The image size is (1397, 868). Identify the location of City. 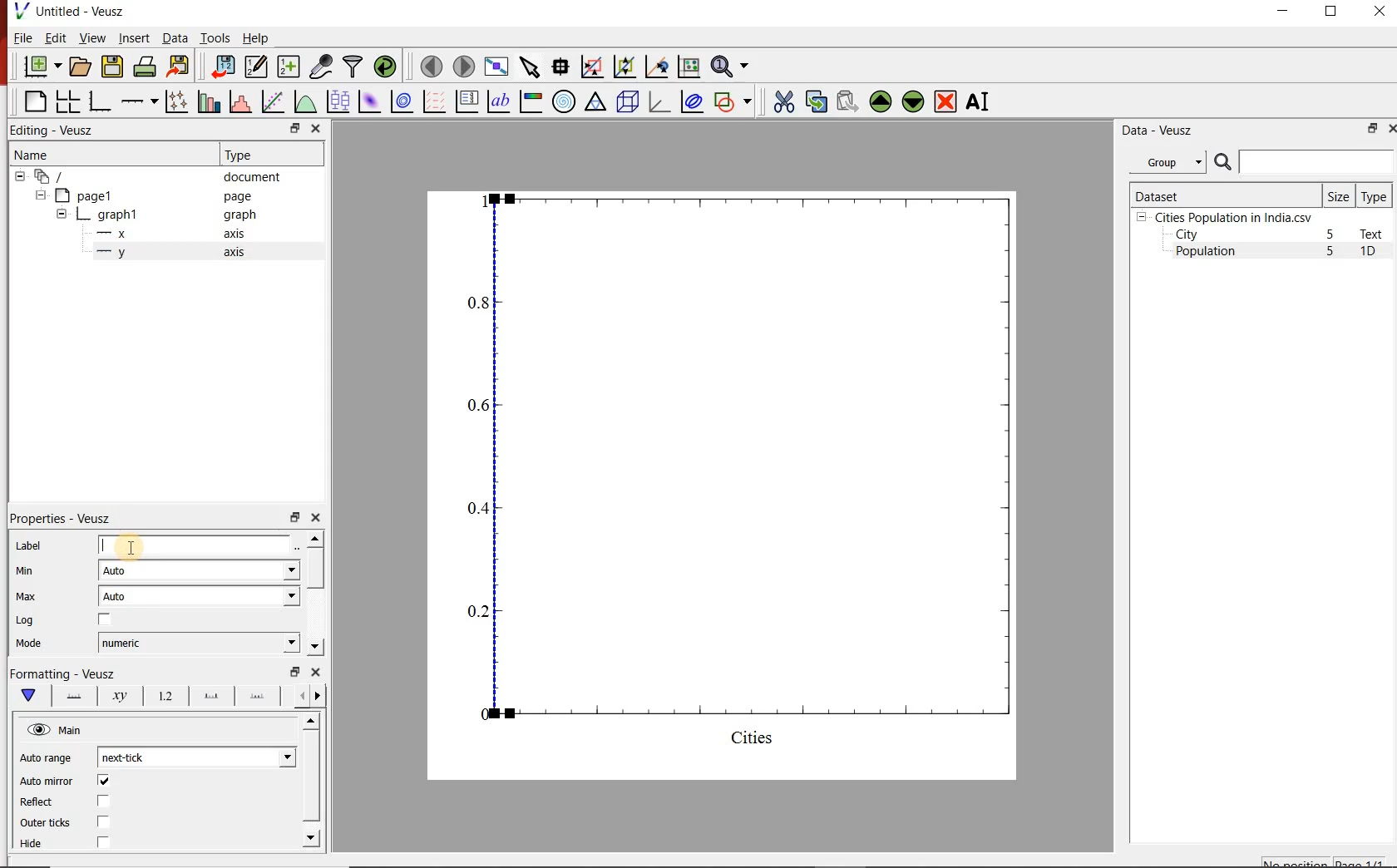
(1187, 234).